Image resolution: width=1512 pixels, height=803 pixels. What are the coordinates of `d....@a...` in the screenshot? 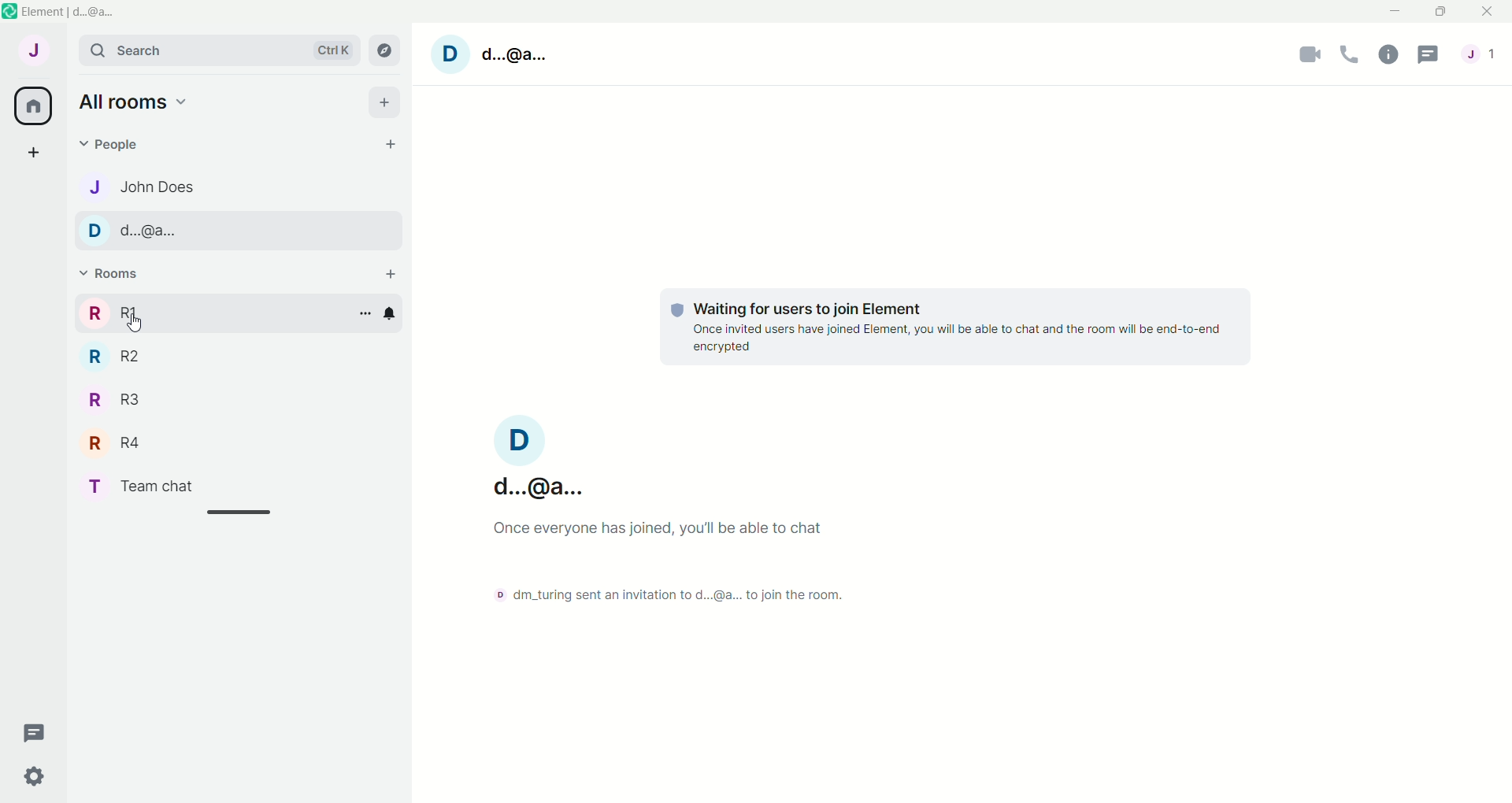 It's located at (535, 461).